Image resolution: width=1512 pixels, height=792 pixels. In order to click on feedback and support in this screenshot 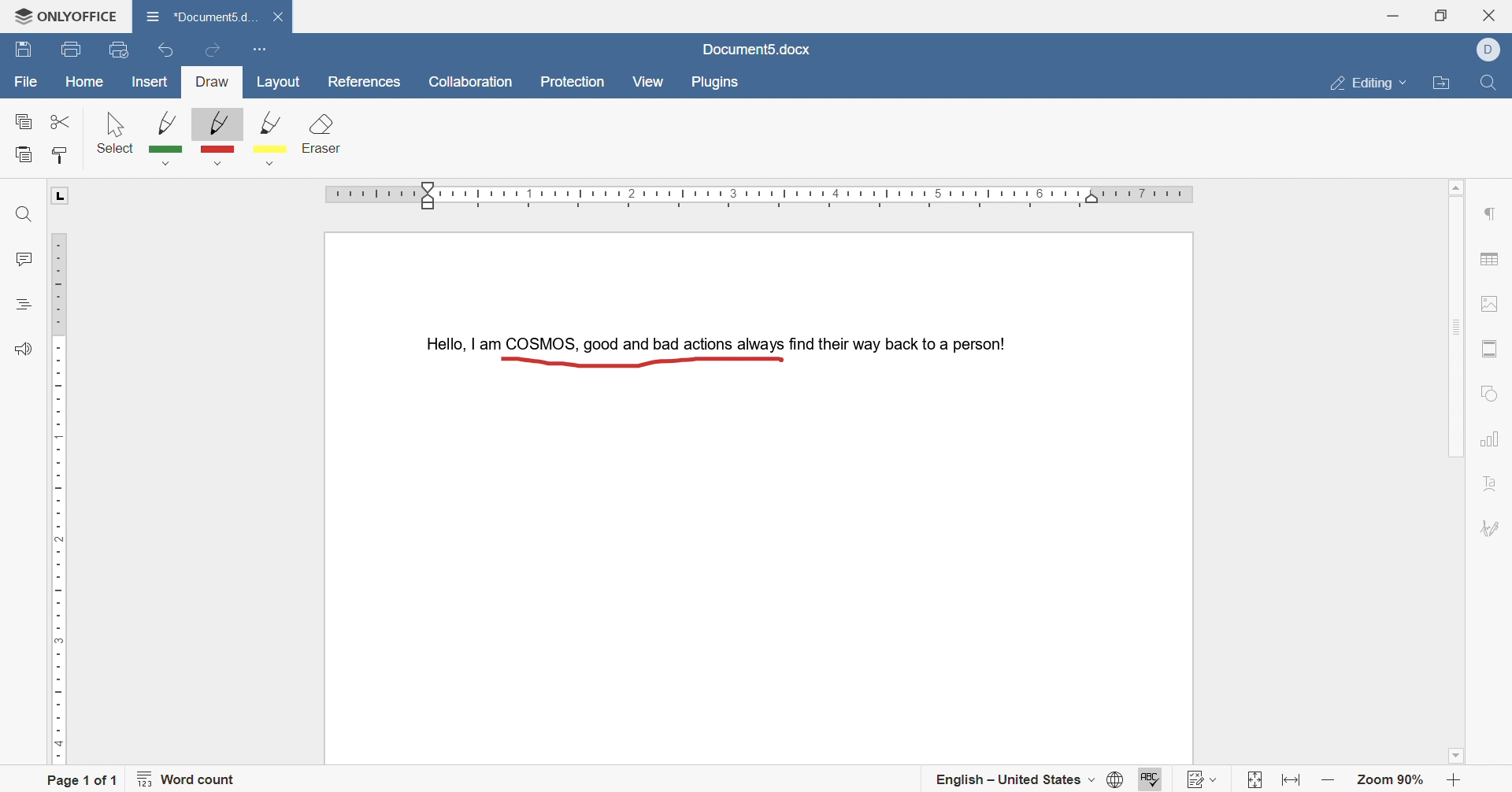, I will do `click(22, 350)`.